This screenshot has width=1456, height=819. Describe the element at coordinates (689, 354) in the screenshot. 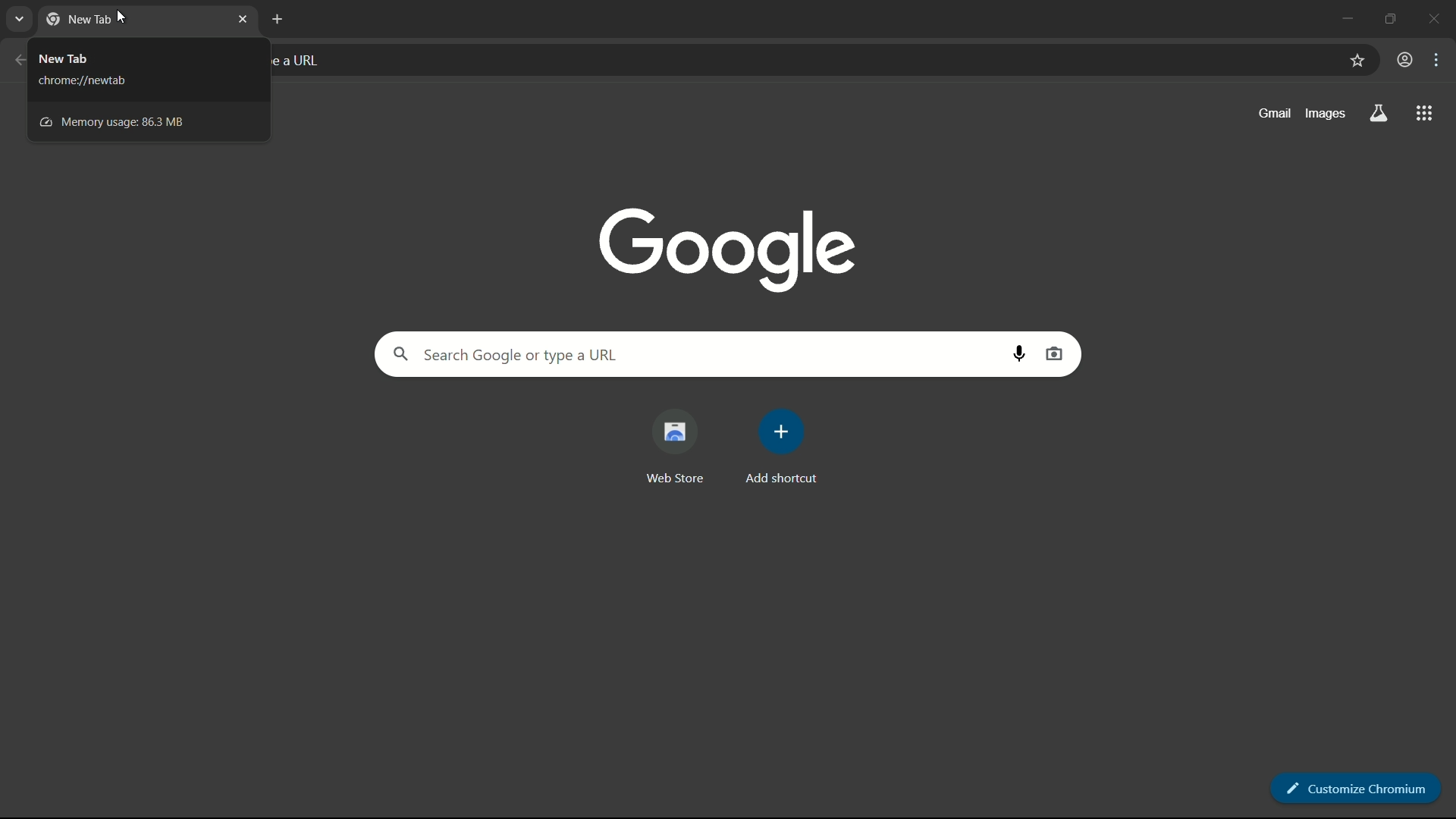

I see `search google or type a url` at that location.